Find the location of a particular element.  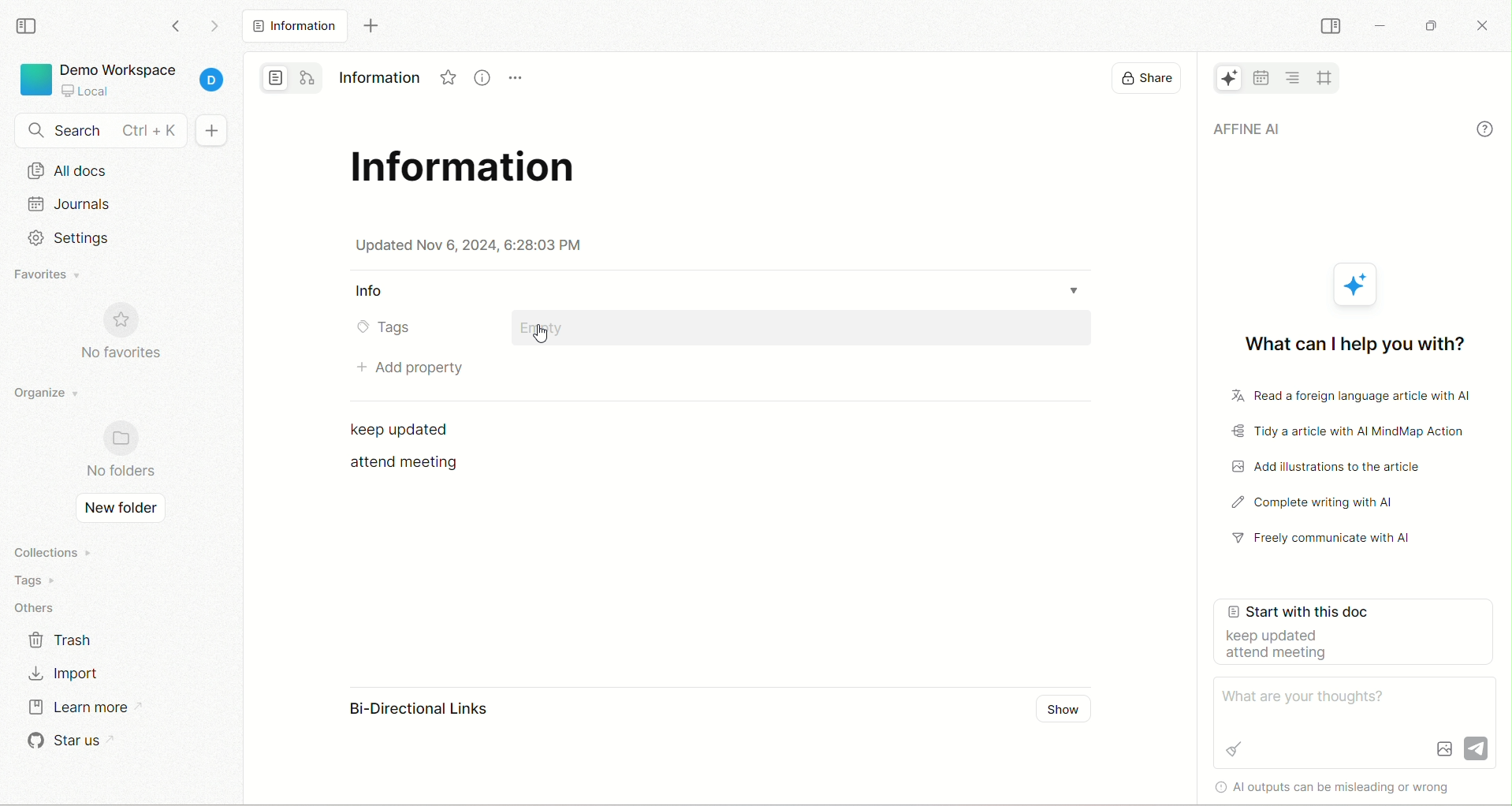

favorites is located at coordinates (48, 274).